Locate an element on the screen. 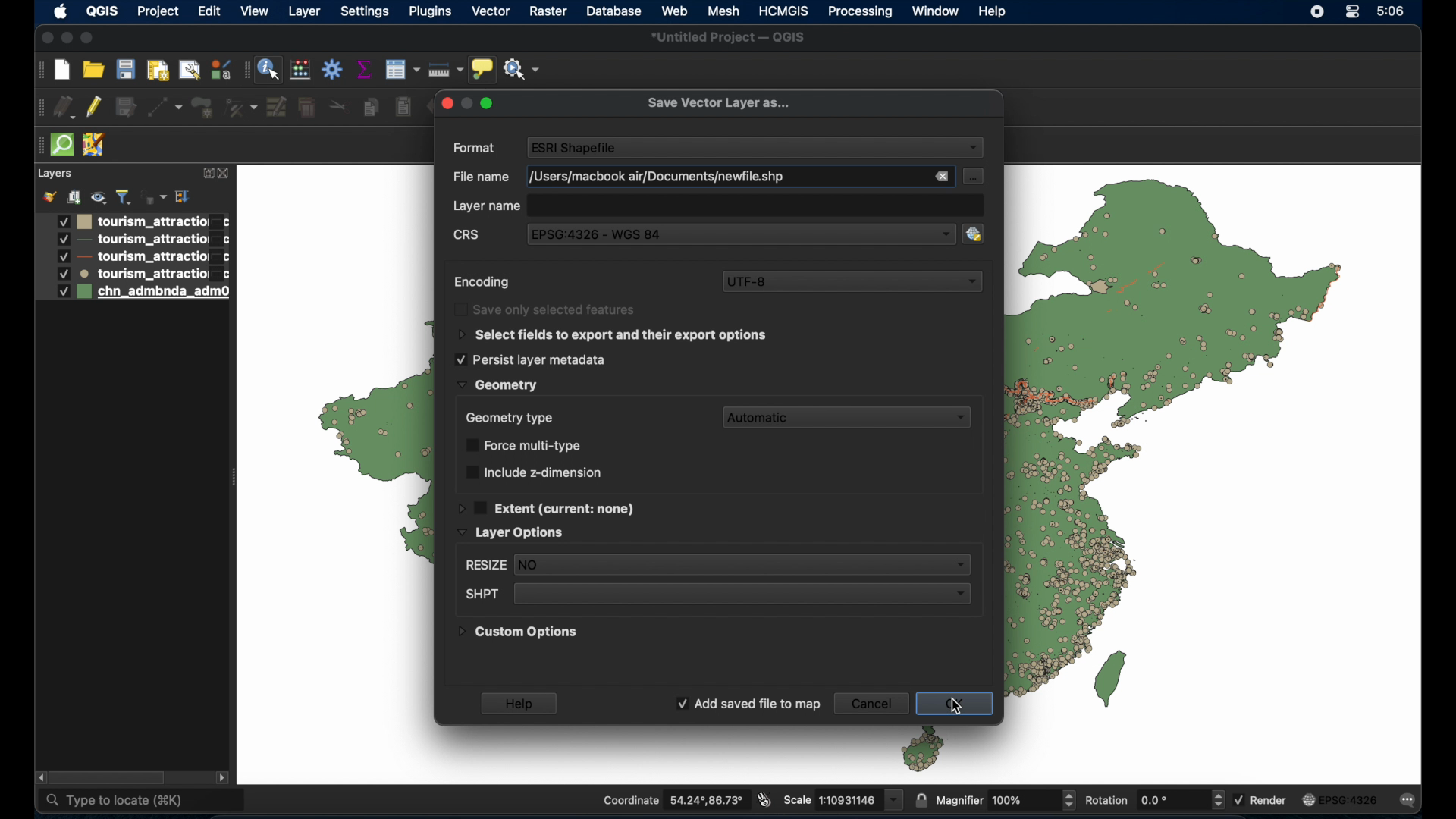 The width and height of the screenshot is (1456, 819). jsom remote is located at coordinates (95, 146).